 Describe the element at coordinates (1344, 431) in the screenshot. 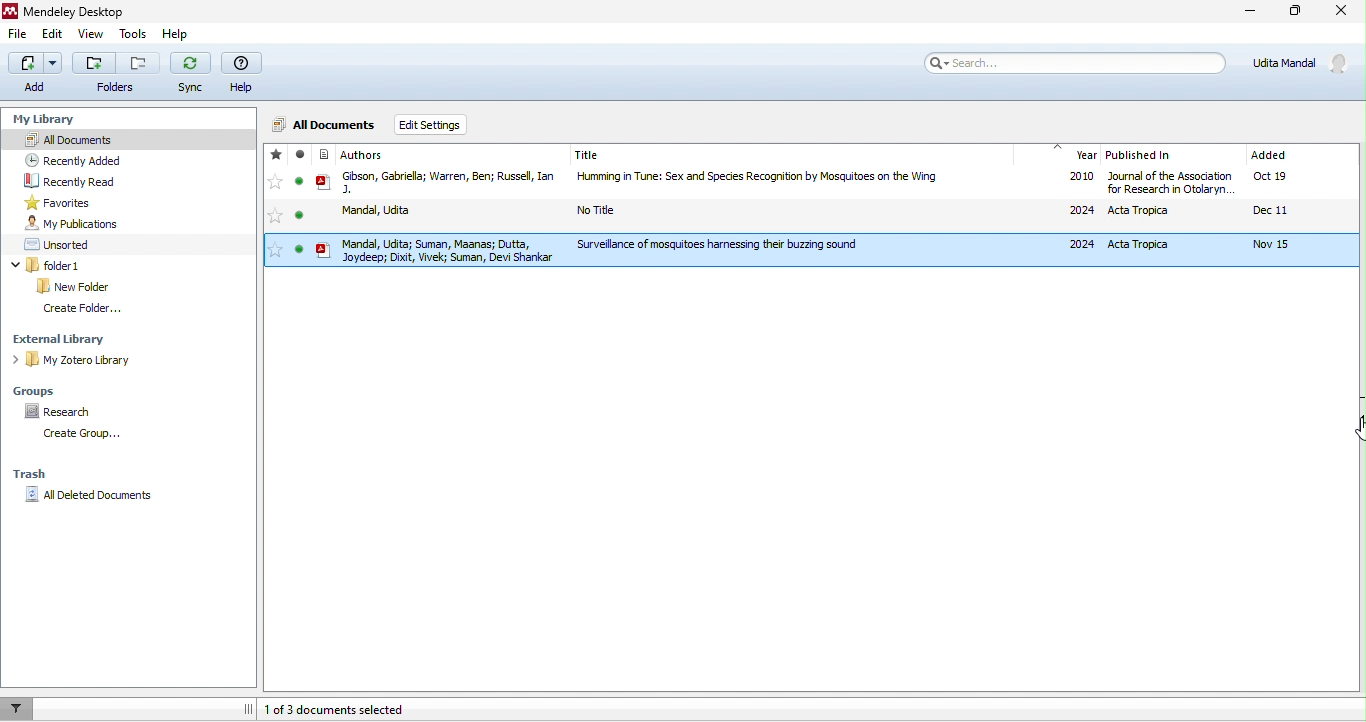

I see `cursor` at that location.